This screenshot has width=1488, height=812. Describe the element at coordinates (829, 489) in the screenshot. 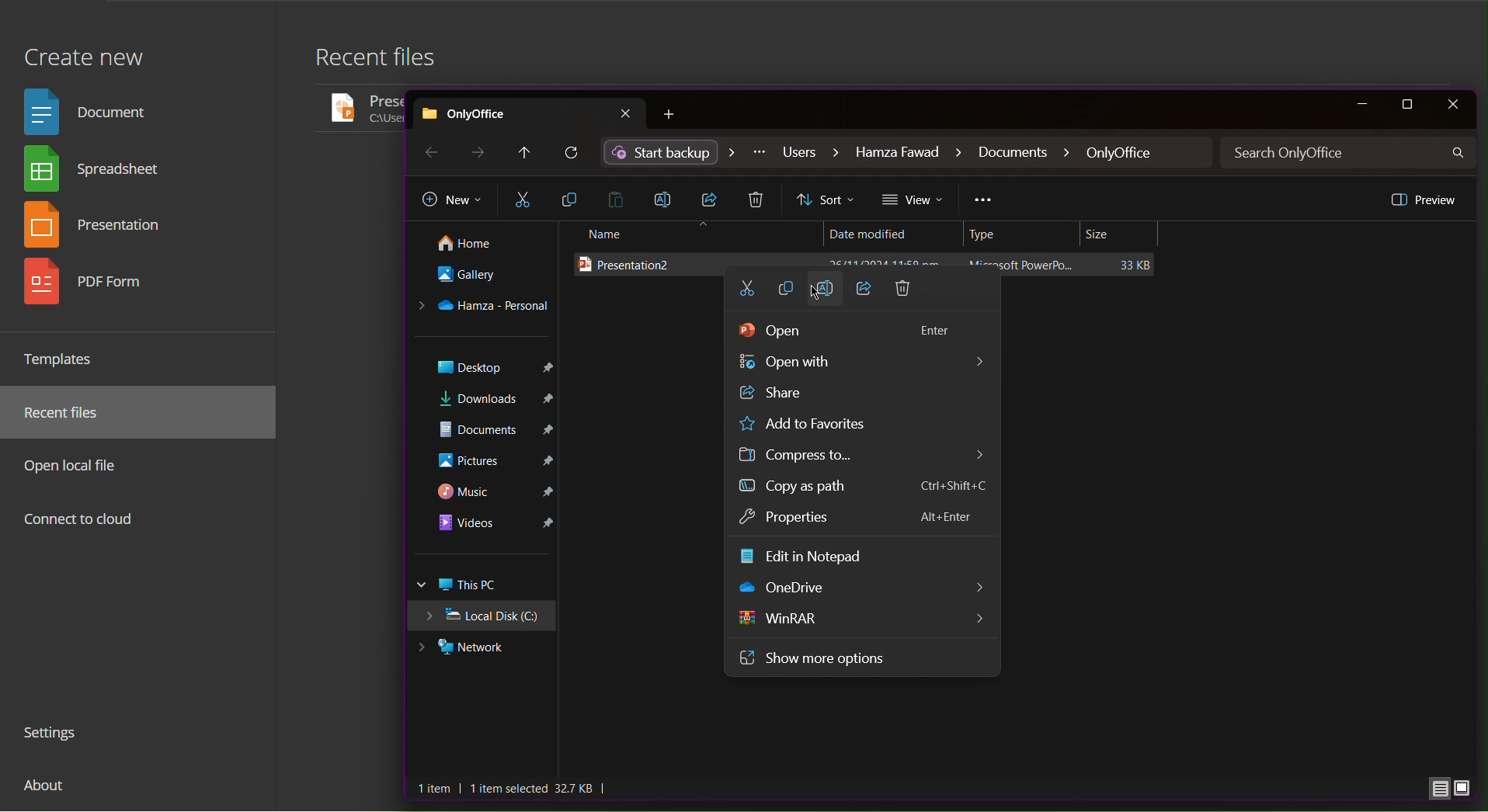

I see `Copy as path` at that location.